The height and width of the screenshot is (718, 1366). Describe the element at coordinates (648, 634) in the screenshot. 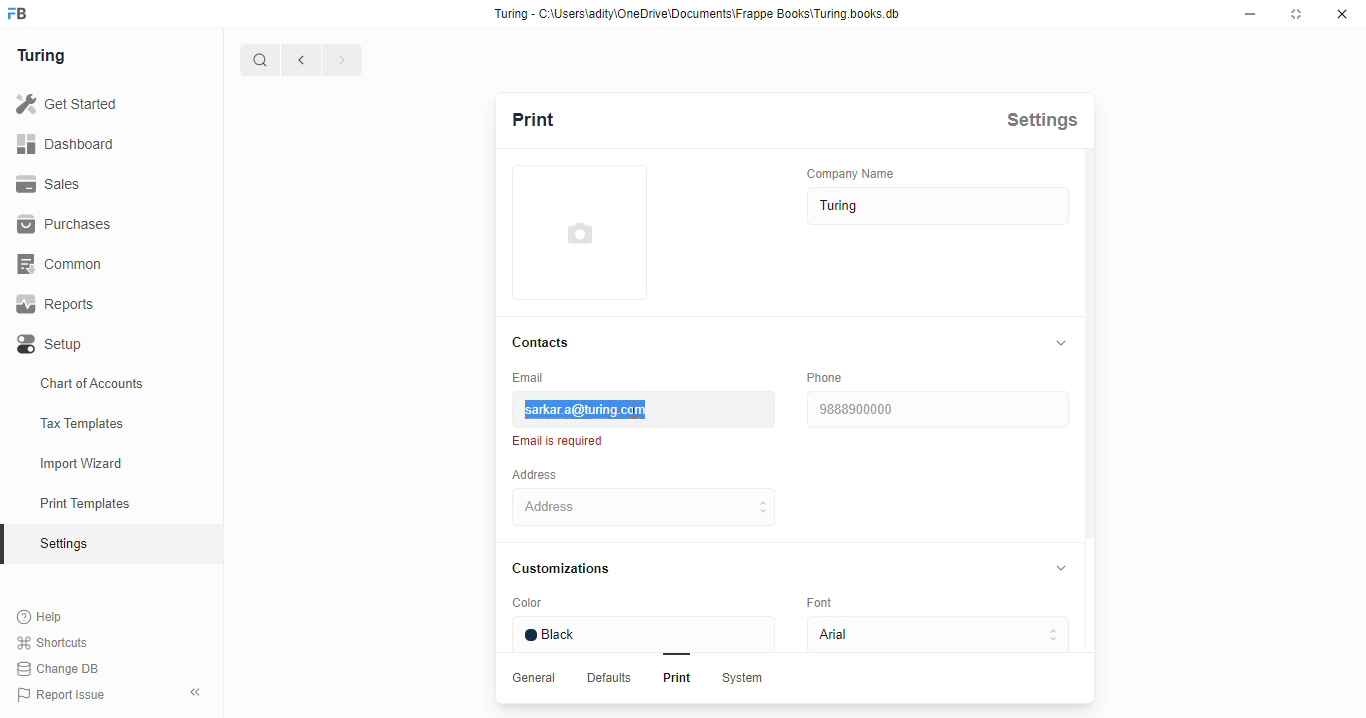

I see `Black` at that location.